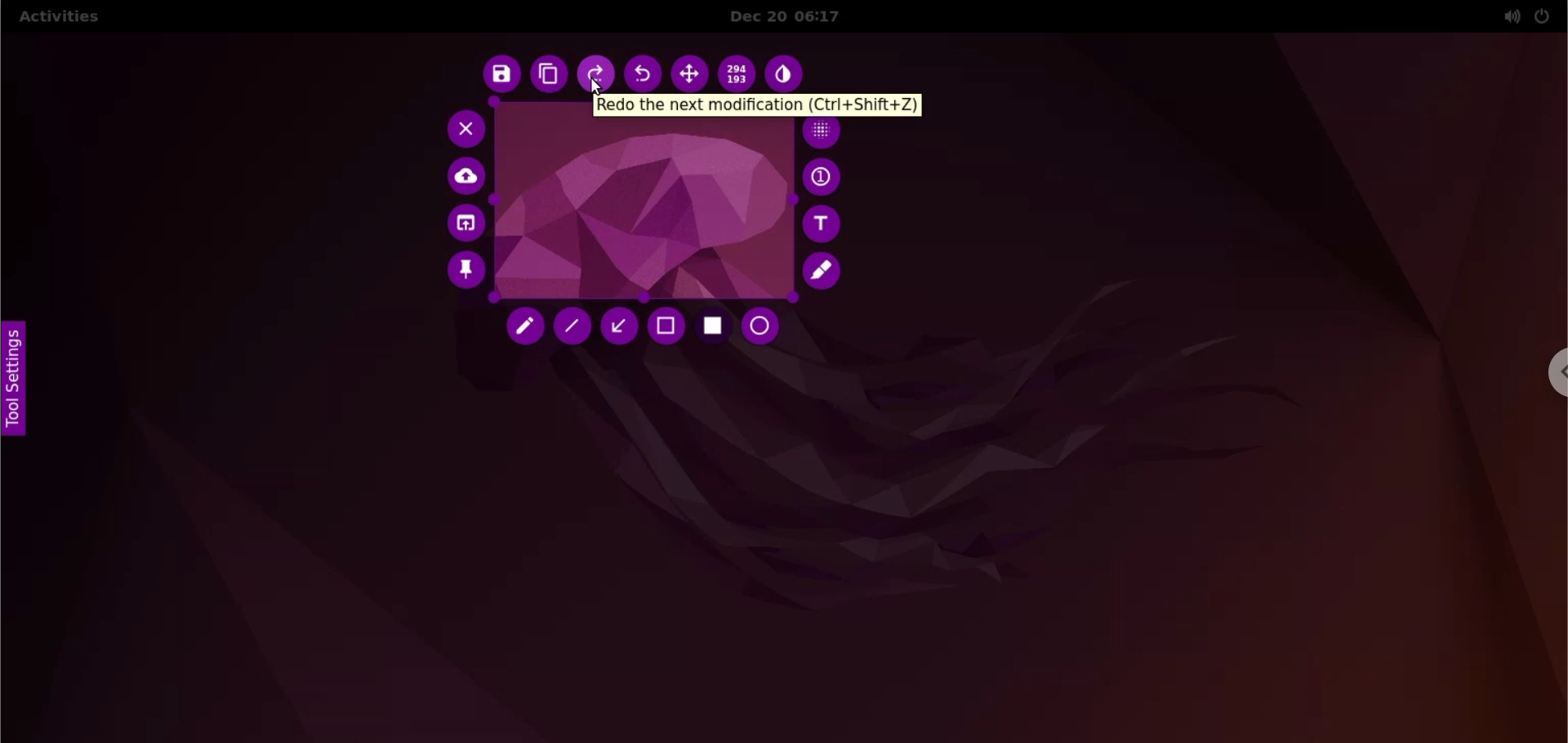  I want to click on copy to clipboard, so click(548, 75).